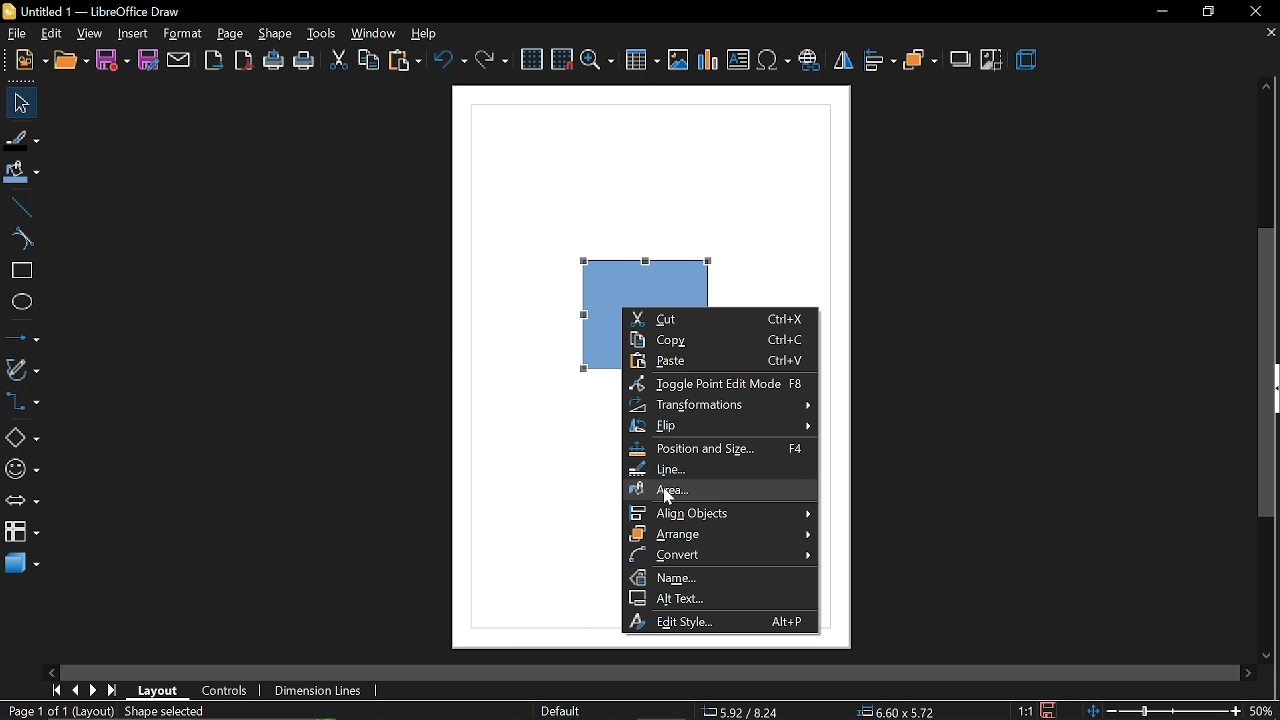  What do you see at coordinates (718, 361) in the screenshot?
I see `paste` at bounding box center [718, 361].